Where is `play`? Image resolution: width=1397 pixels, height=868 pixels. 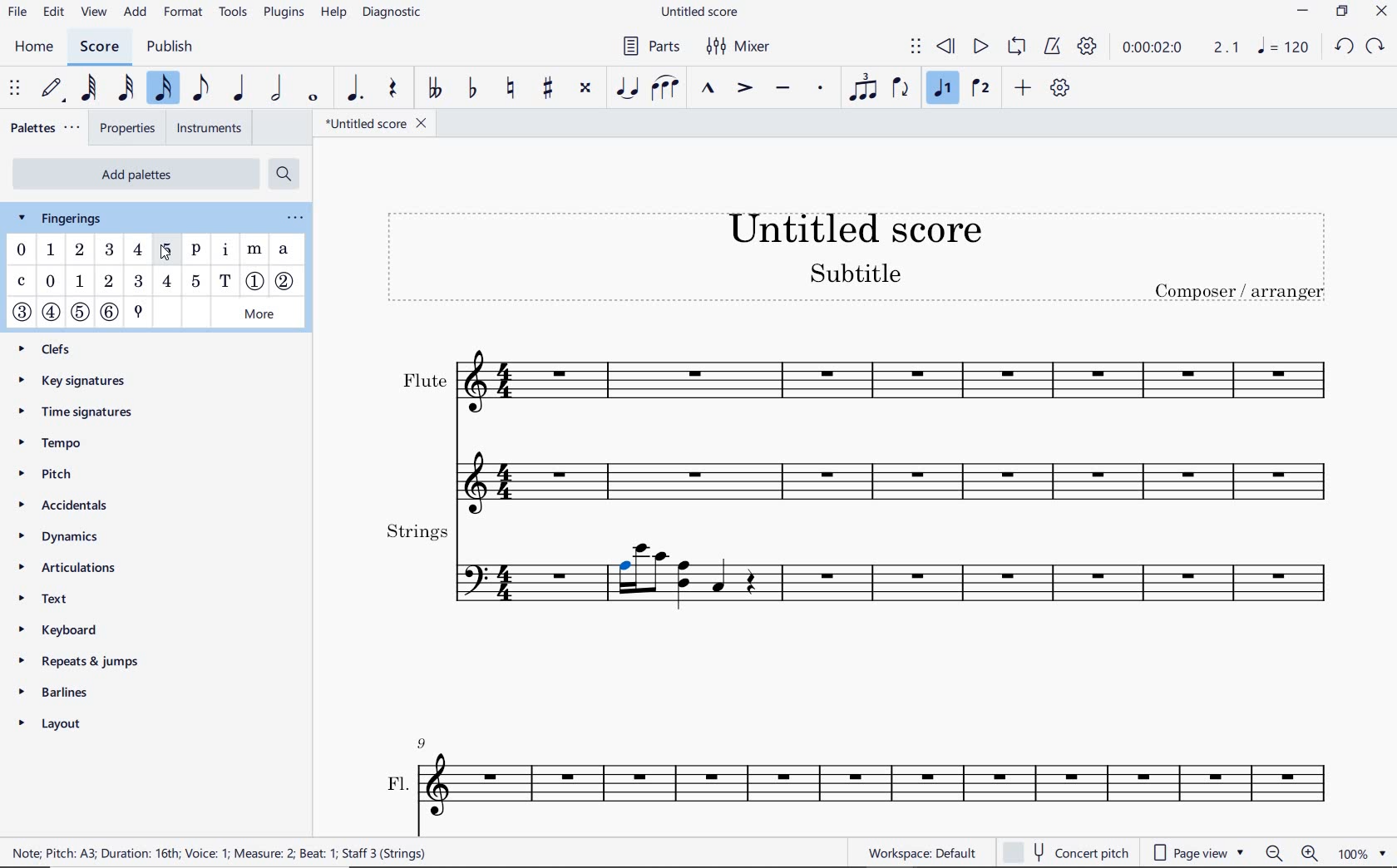 play is located at coordinates (980, 47).